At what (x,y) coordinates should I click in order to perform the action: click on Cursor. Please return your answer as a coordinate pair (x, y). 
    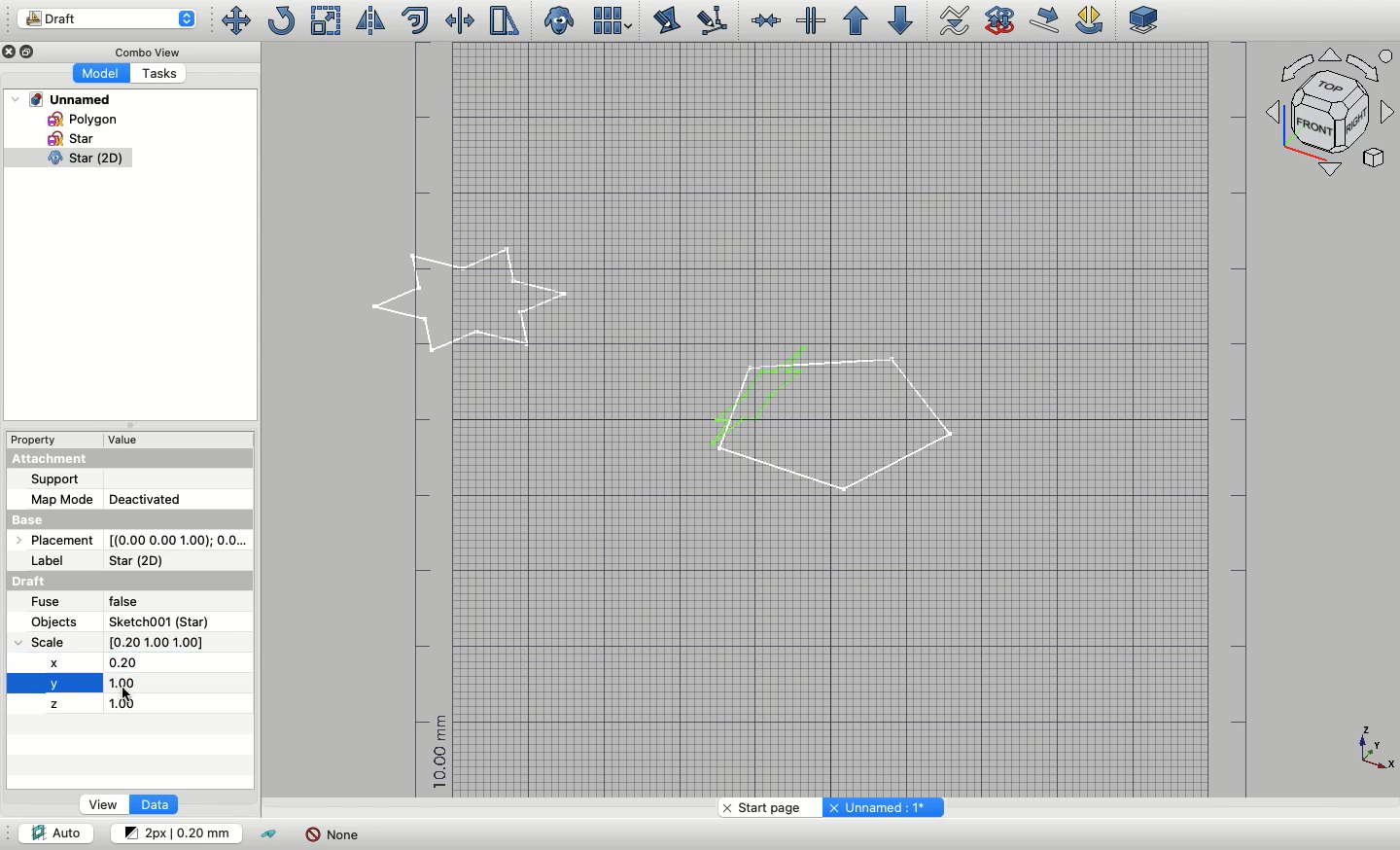
    Looking at the image, I should click on (130, 695).